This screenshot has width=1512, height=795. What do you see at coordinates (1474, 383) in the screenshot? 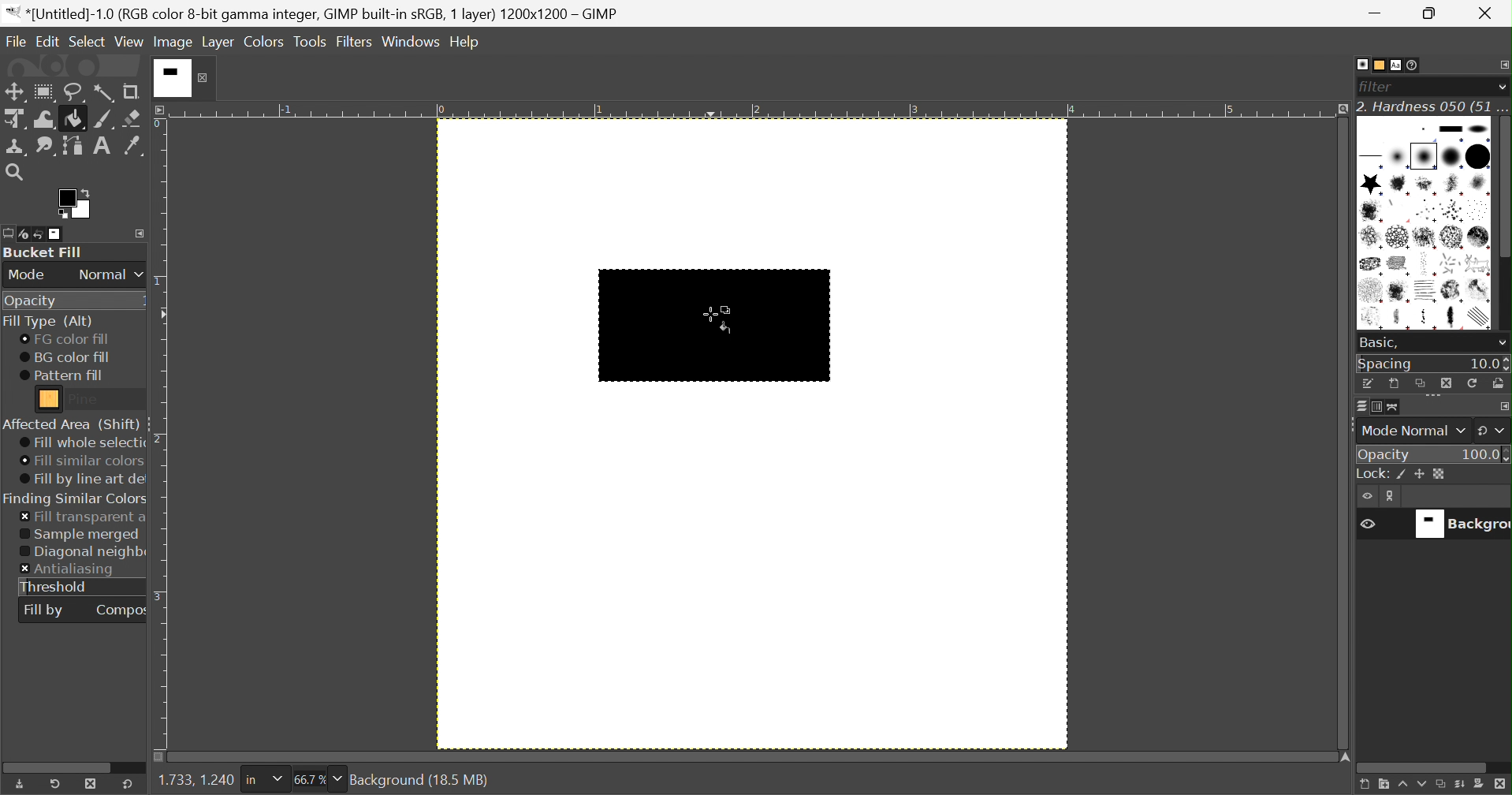
I see `Refresh brushes` at bounding box center [1474, 383].